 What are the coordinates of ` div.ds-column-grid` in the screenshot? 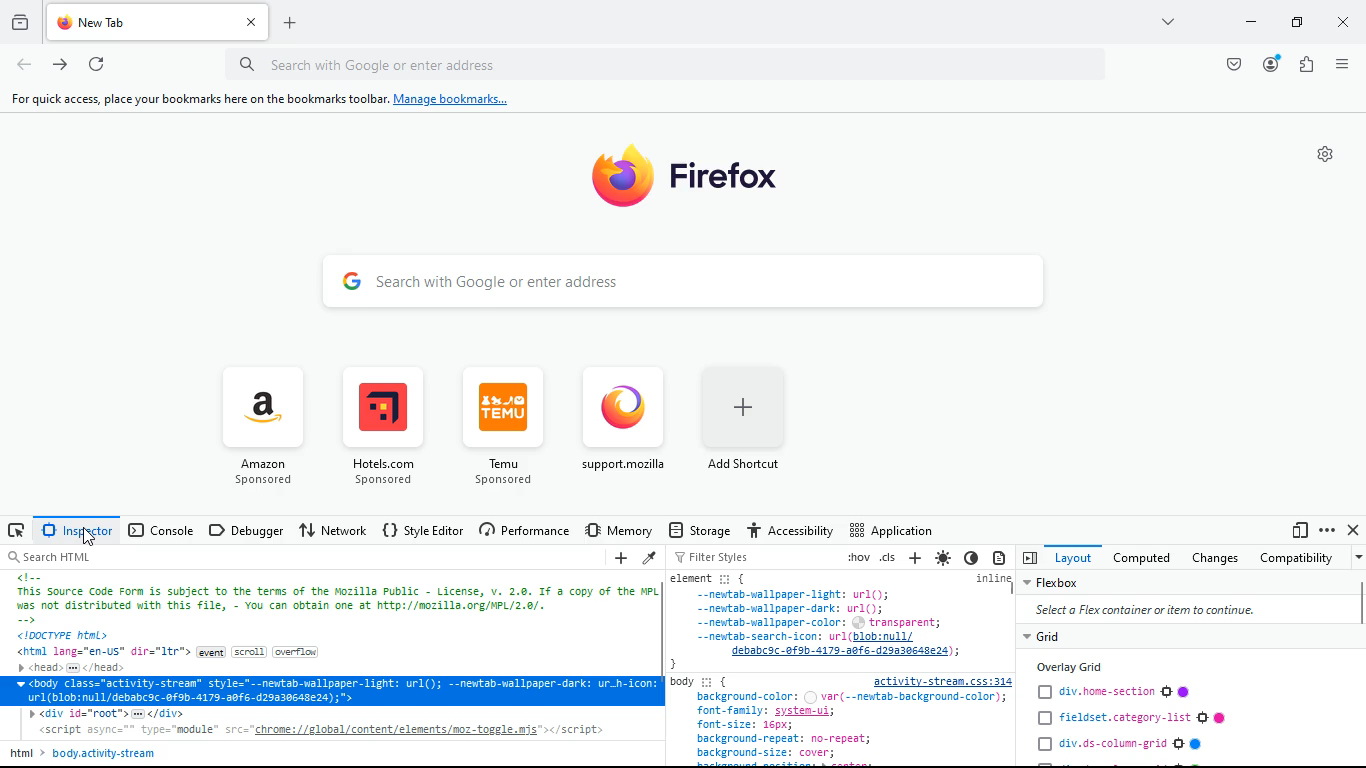 It's located at (1120, 743).